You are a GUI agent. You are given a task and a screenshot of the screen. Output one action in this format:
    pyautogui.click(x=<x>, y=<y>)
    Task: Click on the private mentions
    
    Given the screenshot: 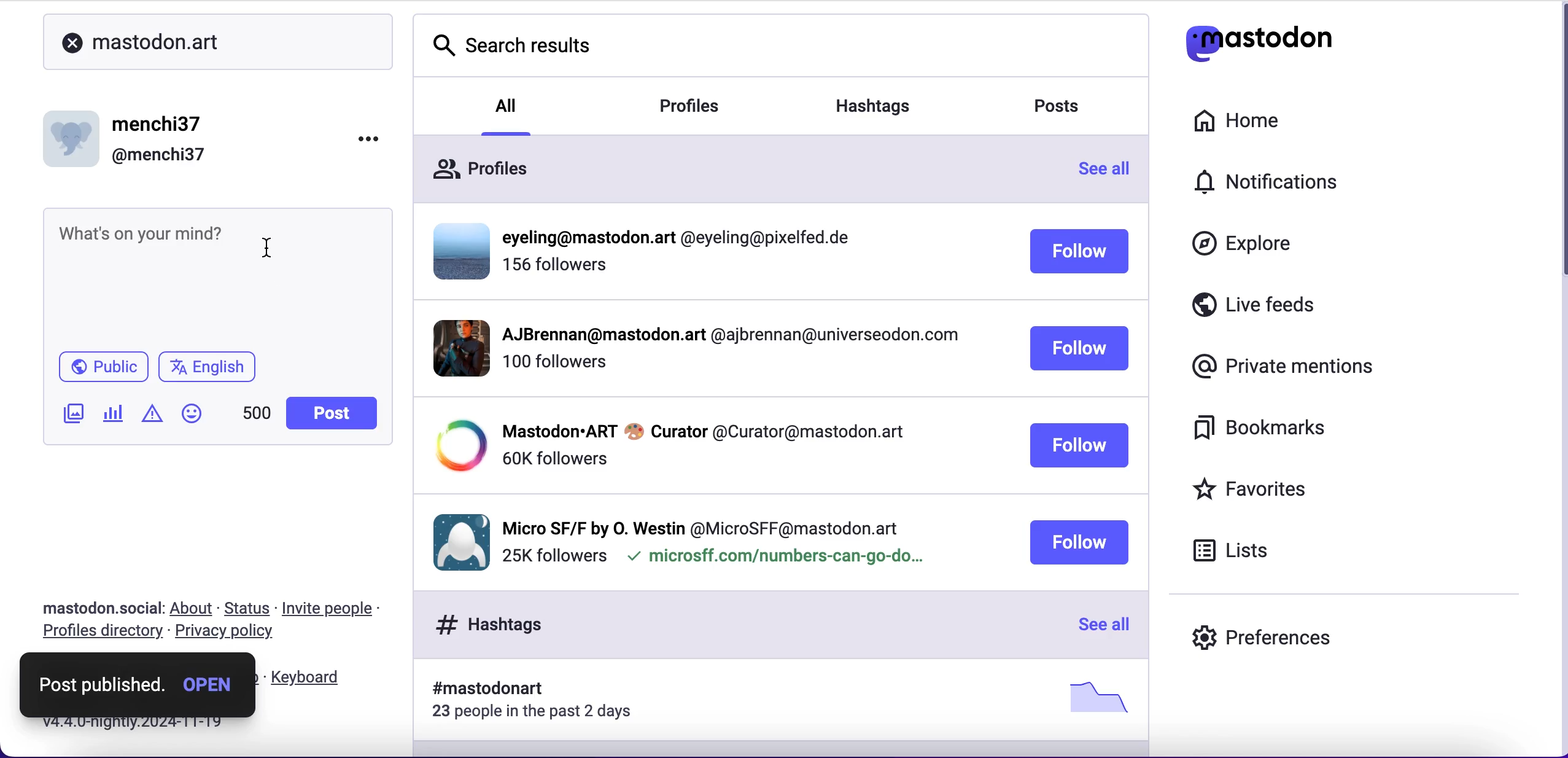 What is the action you would take?
    pyautogui.click(x=1278, y=367)
    